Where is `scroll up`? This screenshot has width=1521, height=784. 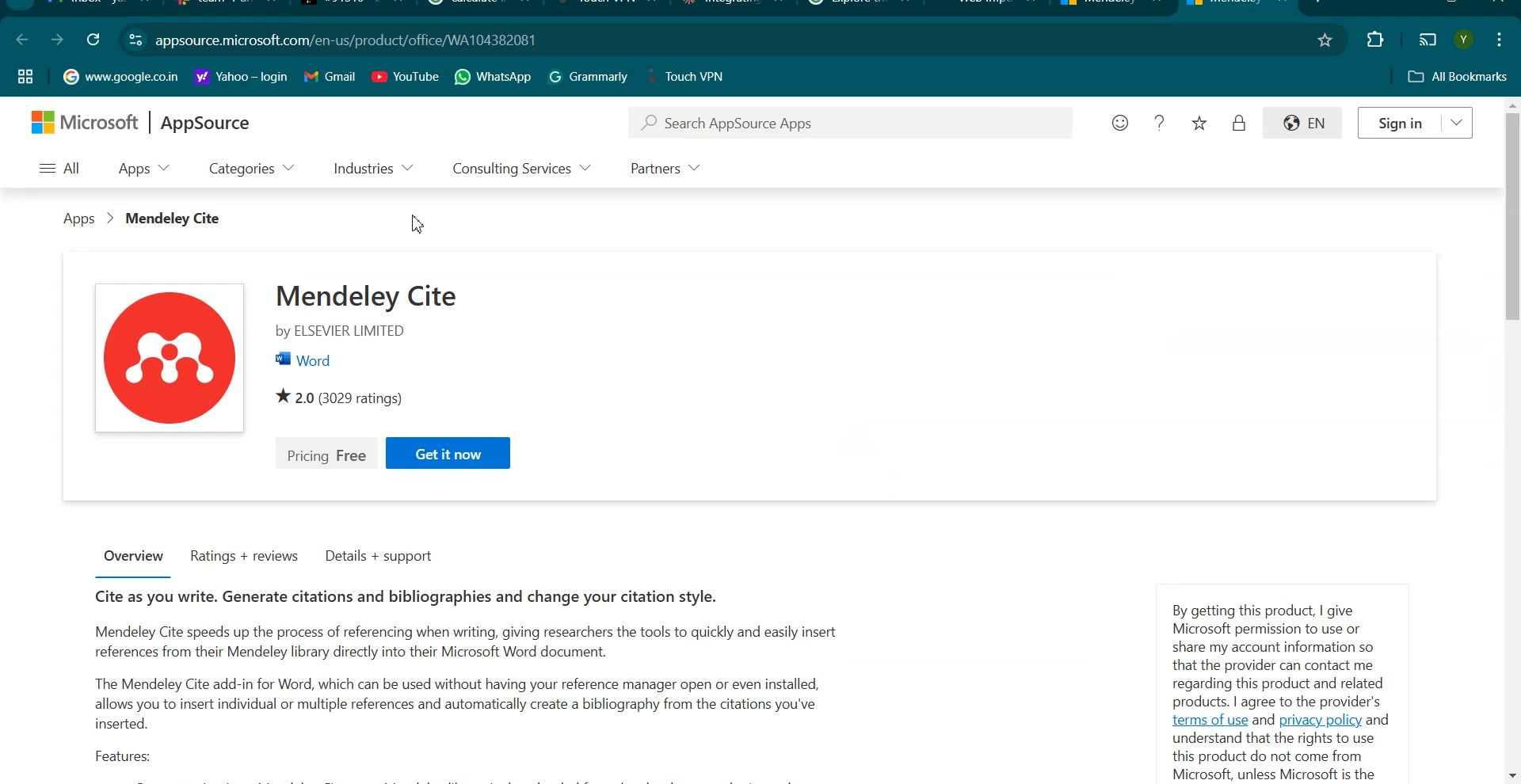
scroll up is located at coordinates (1511, 103).